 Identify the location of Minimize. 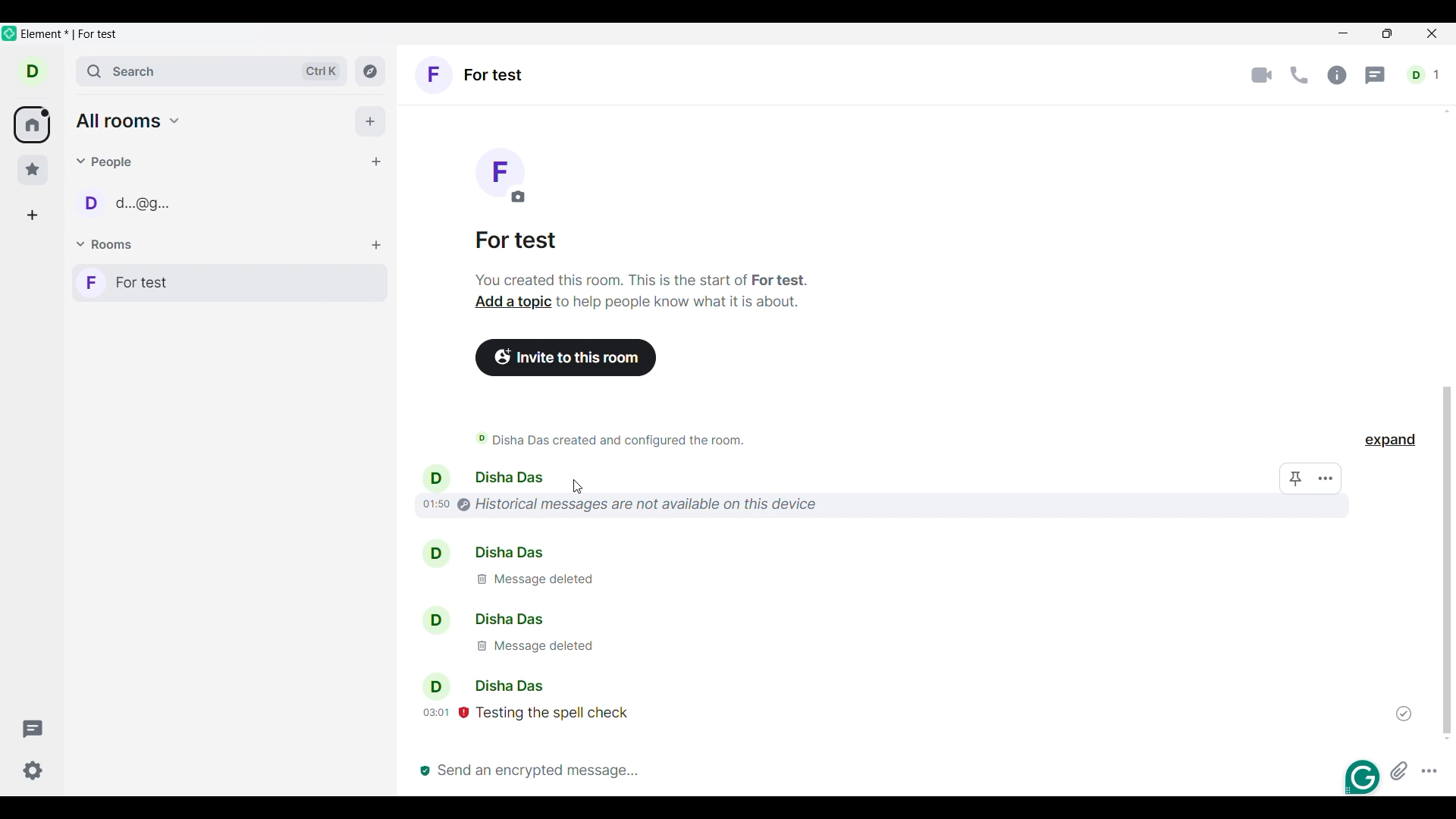
(1344, 33).